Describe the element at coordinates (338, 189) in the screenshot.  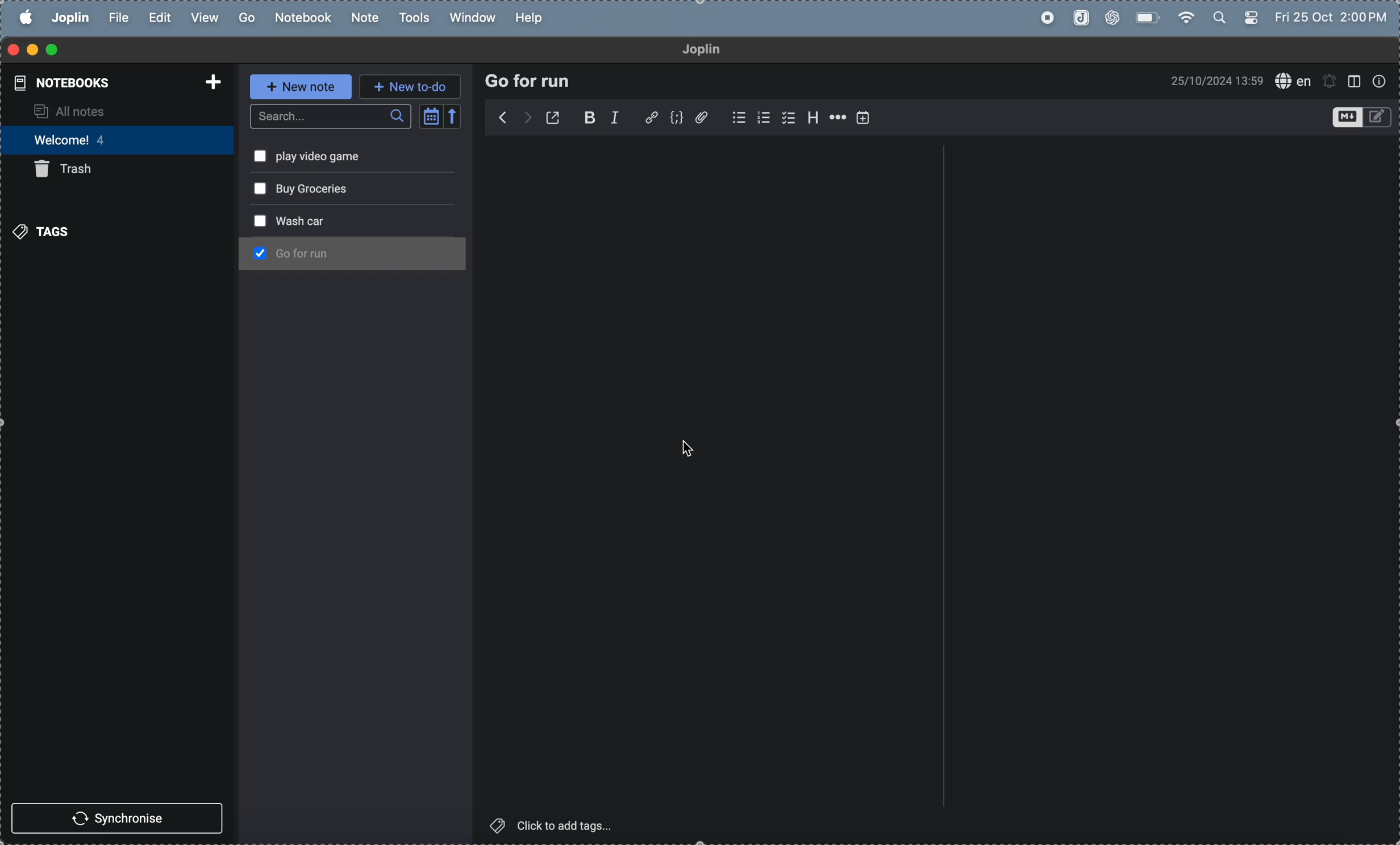
I see `play video games` at that location.